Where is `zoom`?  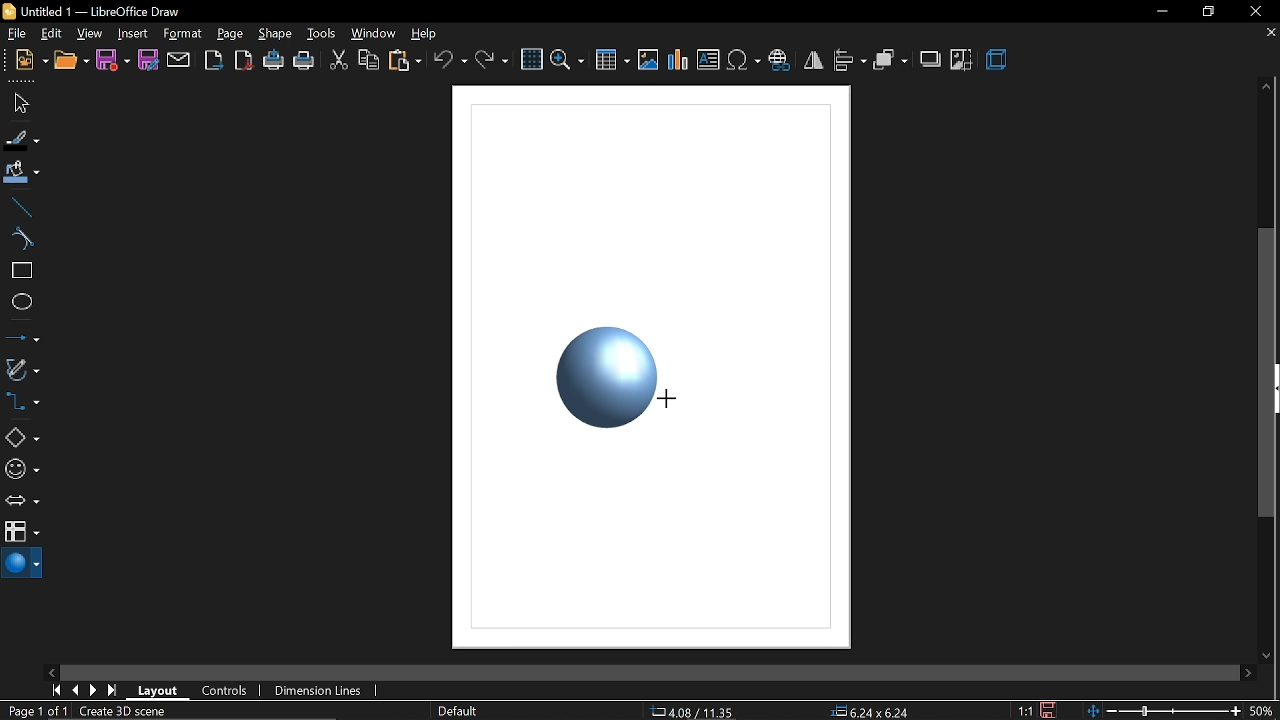
zoom is located at coordinates (567, 59).